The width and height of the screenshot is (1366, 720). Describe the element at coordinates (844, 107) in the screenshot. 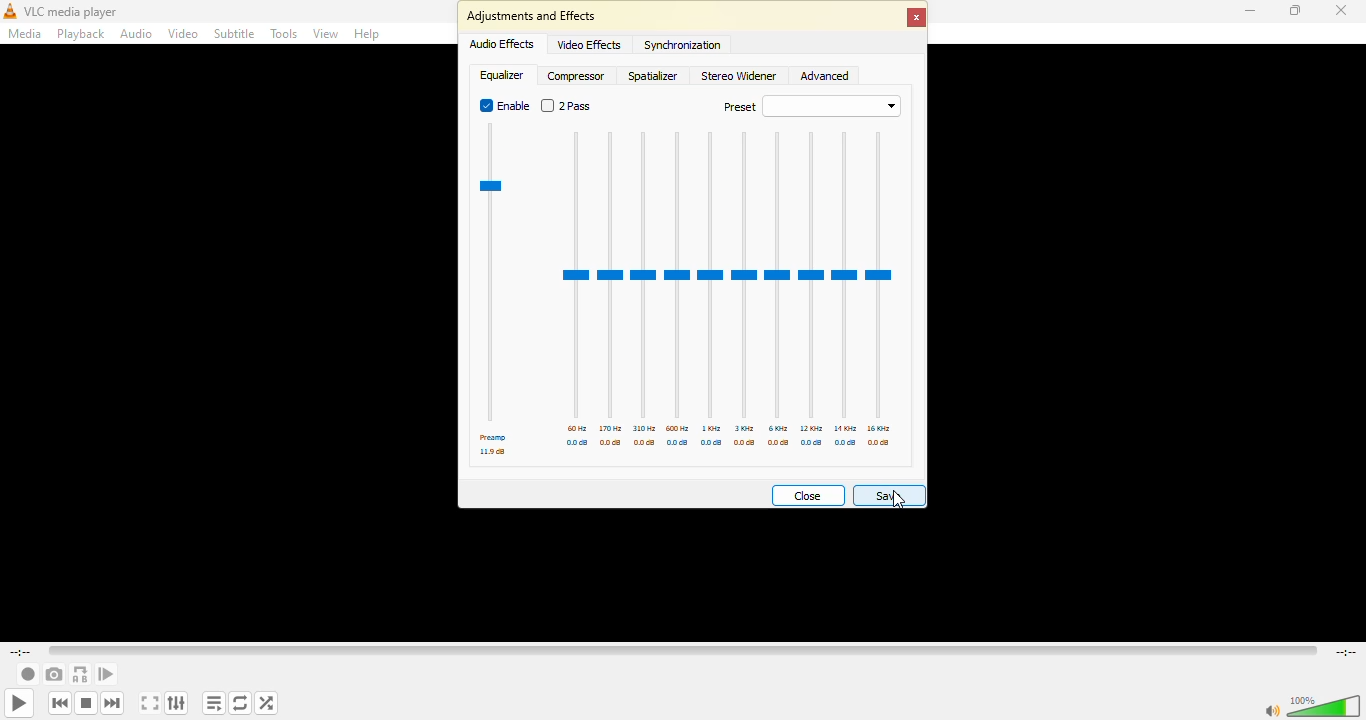

I see `drop down` at that location.